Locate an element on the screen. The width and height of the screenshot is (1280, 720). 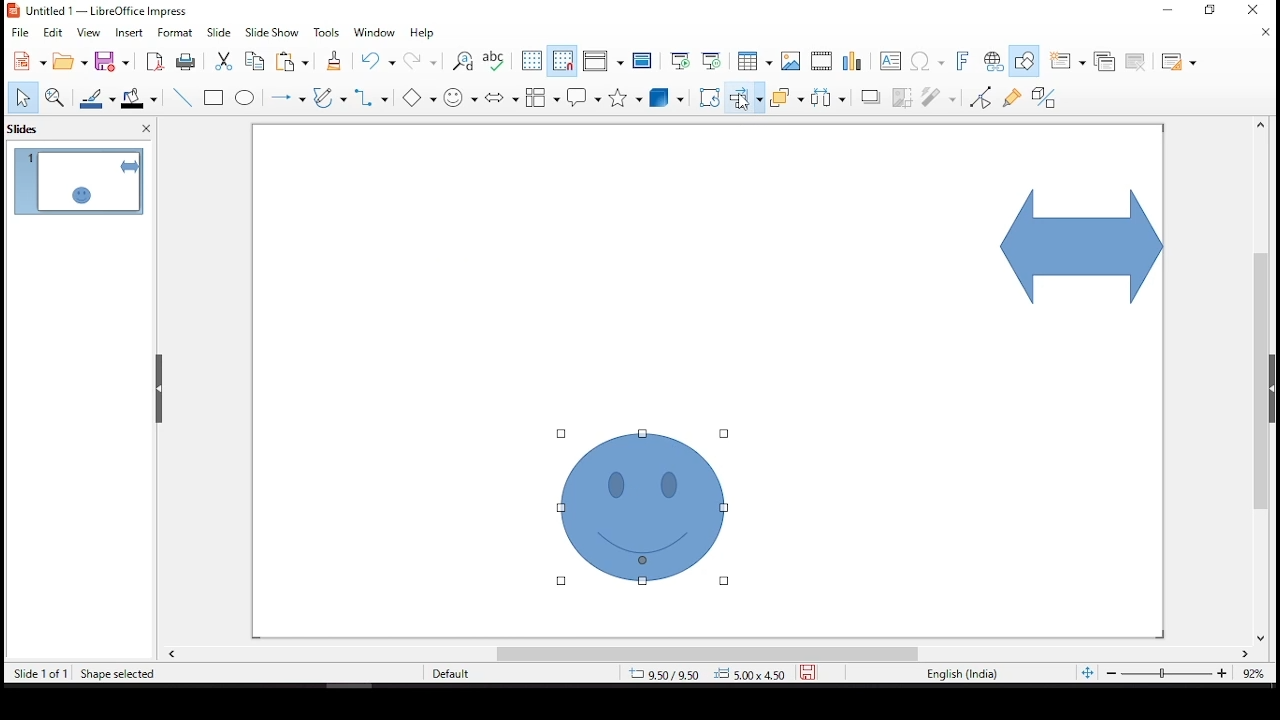
insert font work text is located at coordinates (959, 63).